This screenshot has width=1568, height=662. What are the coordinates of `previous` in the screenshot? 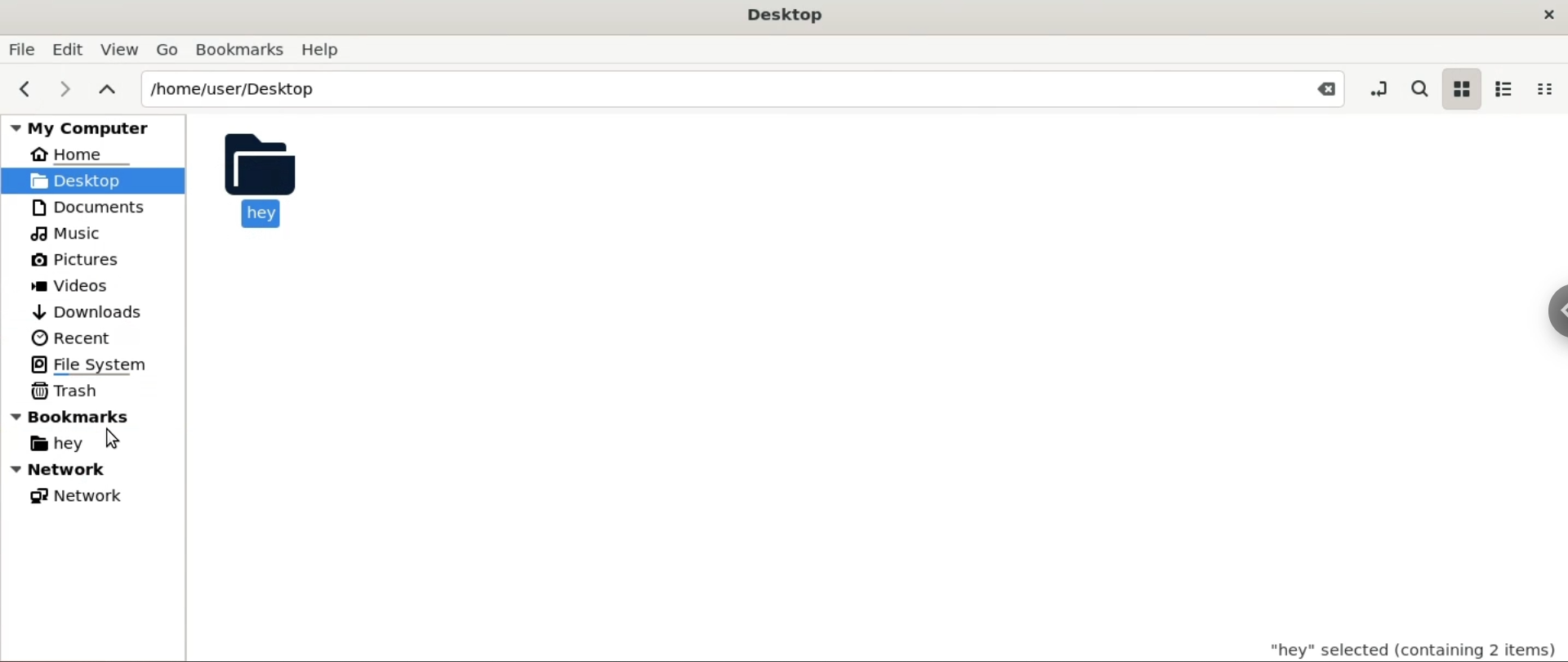 It's located at (23, 90).